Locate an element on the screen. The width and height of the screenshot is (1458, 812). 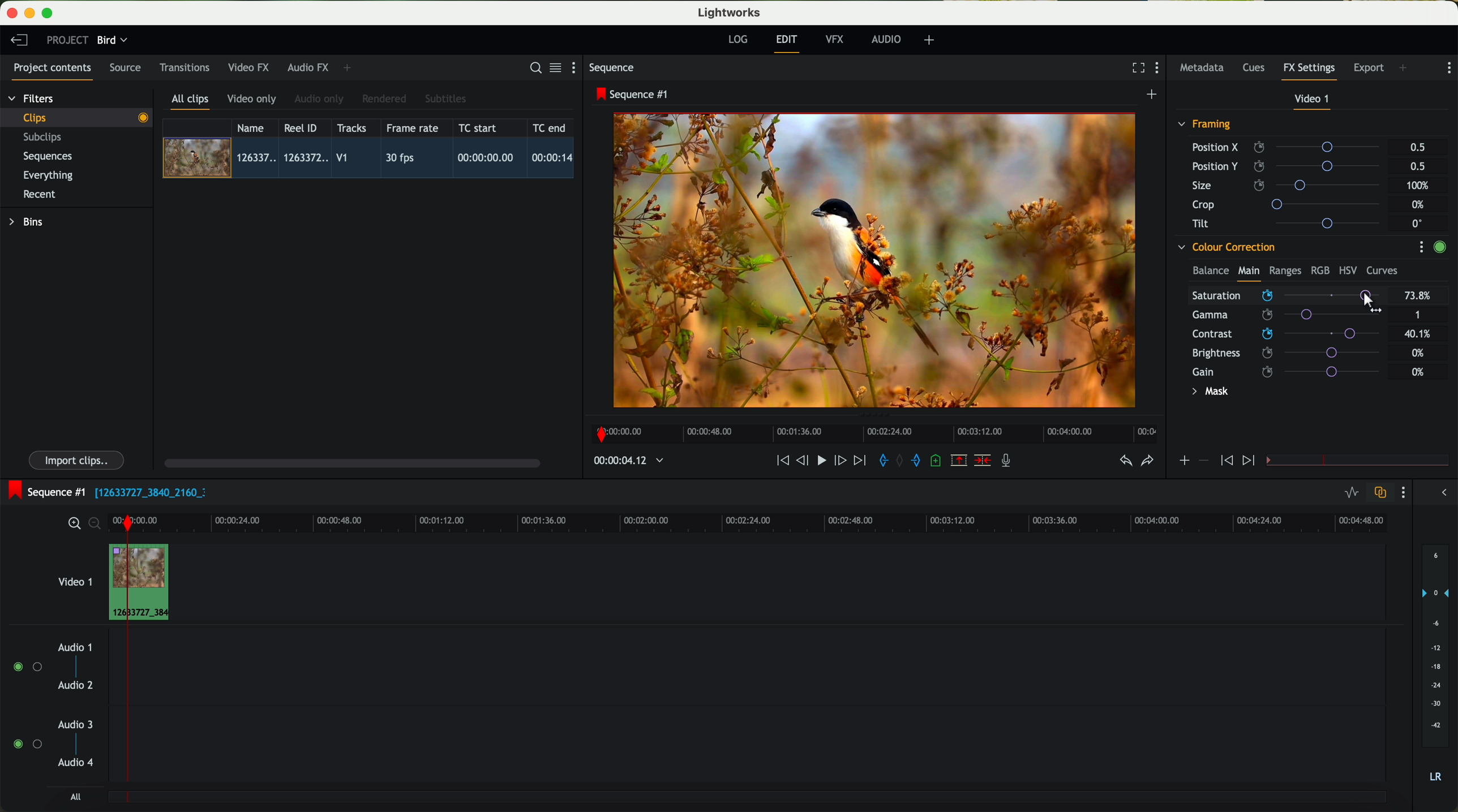
zoom in is located at coordinates (72, 524).